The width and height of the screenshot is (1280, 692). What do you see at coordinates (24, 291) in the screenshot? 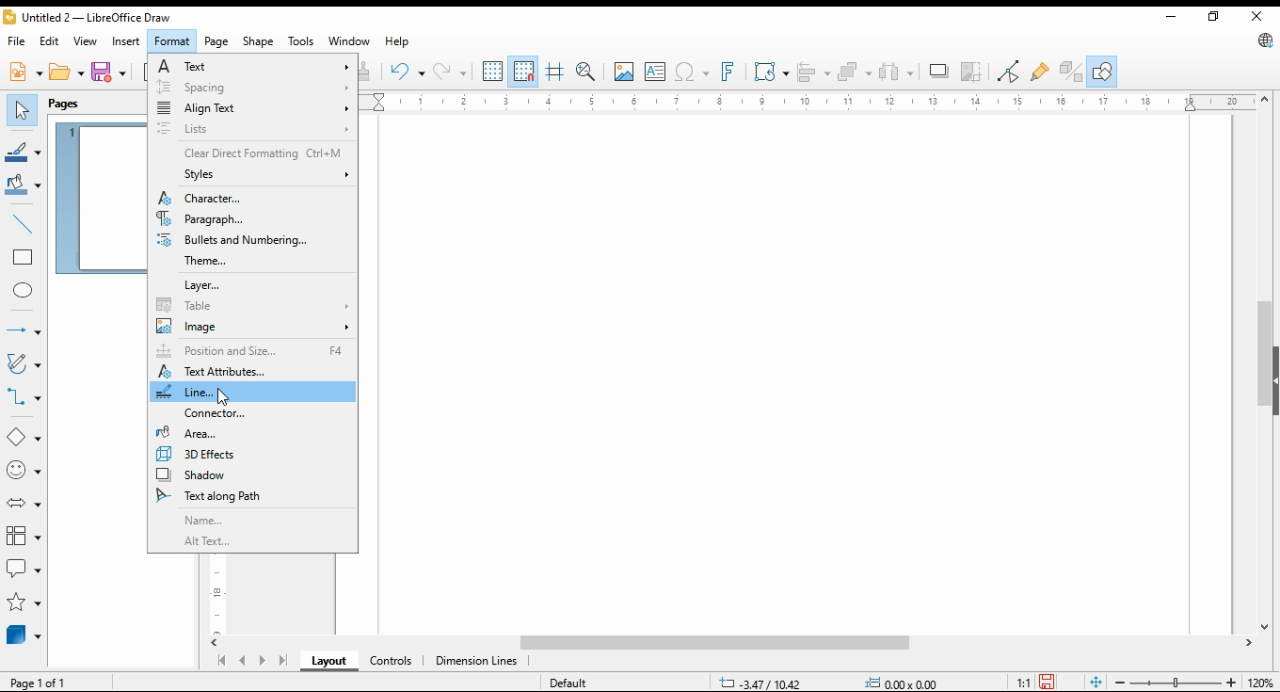
I see `ellipse` at bounding box center [24, 291].